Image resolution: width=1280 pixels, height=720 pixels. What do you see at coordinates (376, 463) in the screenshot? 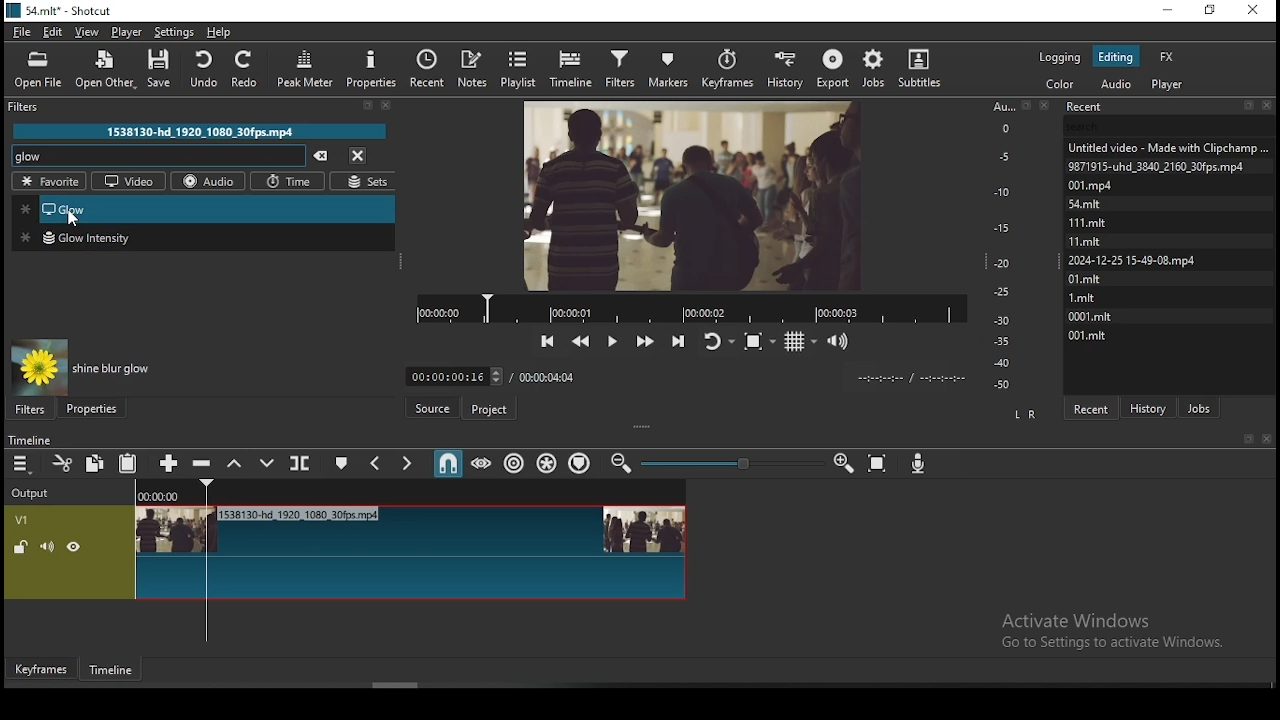
I see `previous marker` at bounding box center [376, 463].